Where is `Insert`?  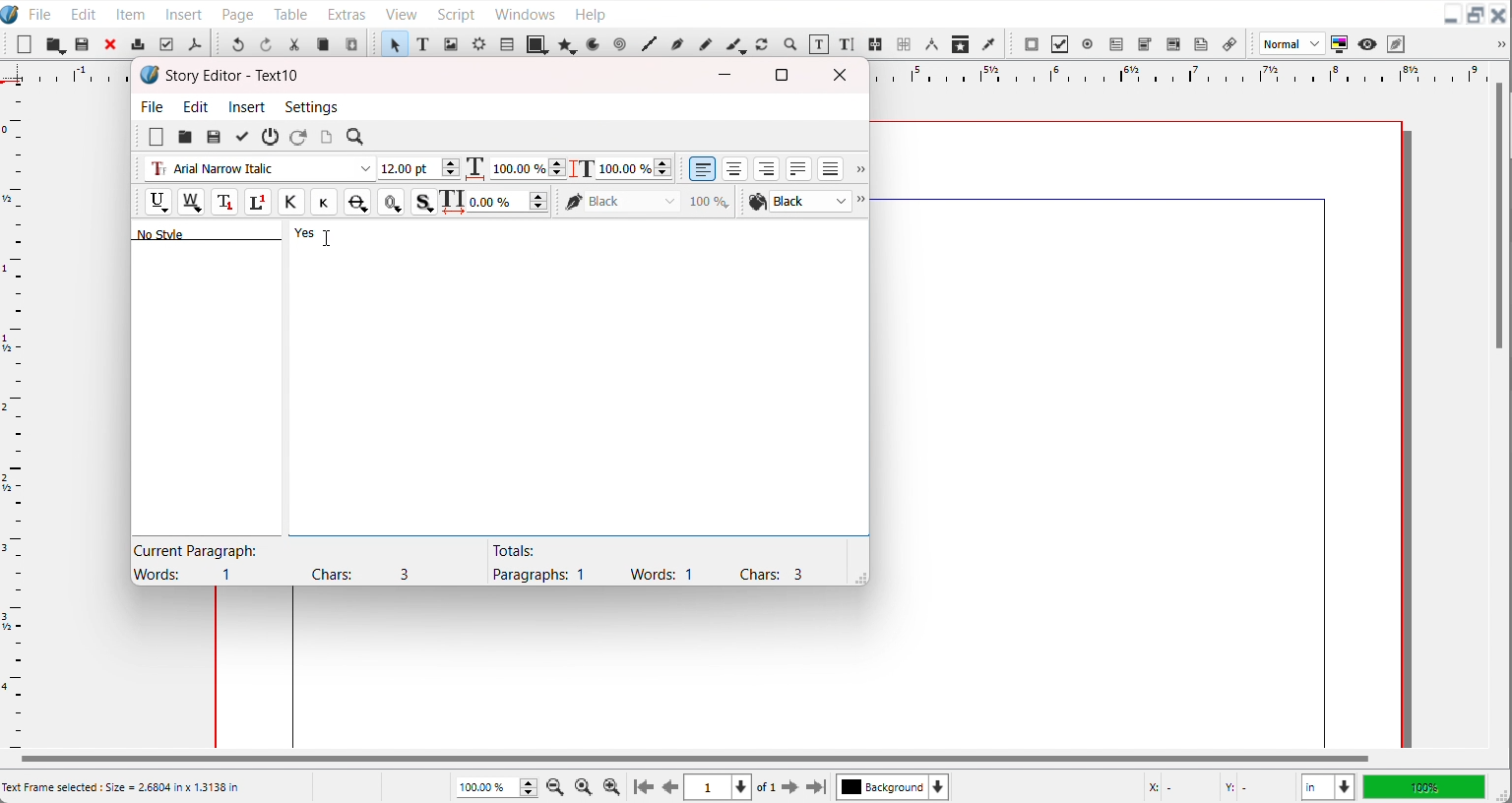 Insert is located at coordinates (248, 106).